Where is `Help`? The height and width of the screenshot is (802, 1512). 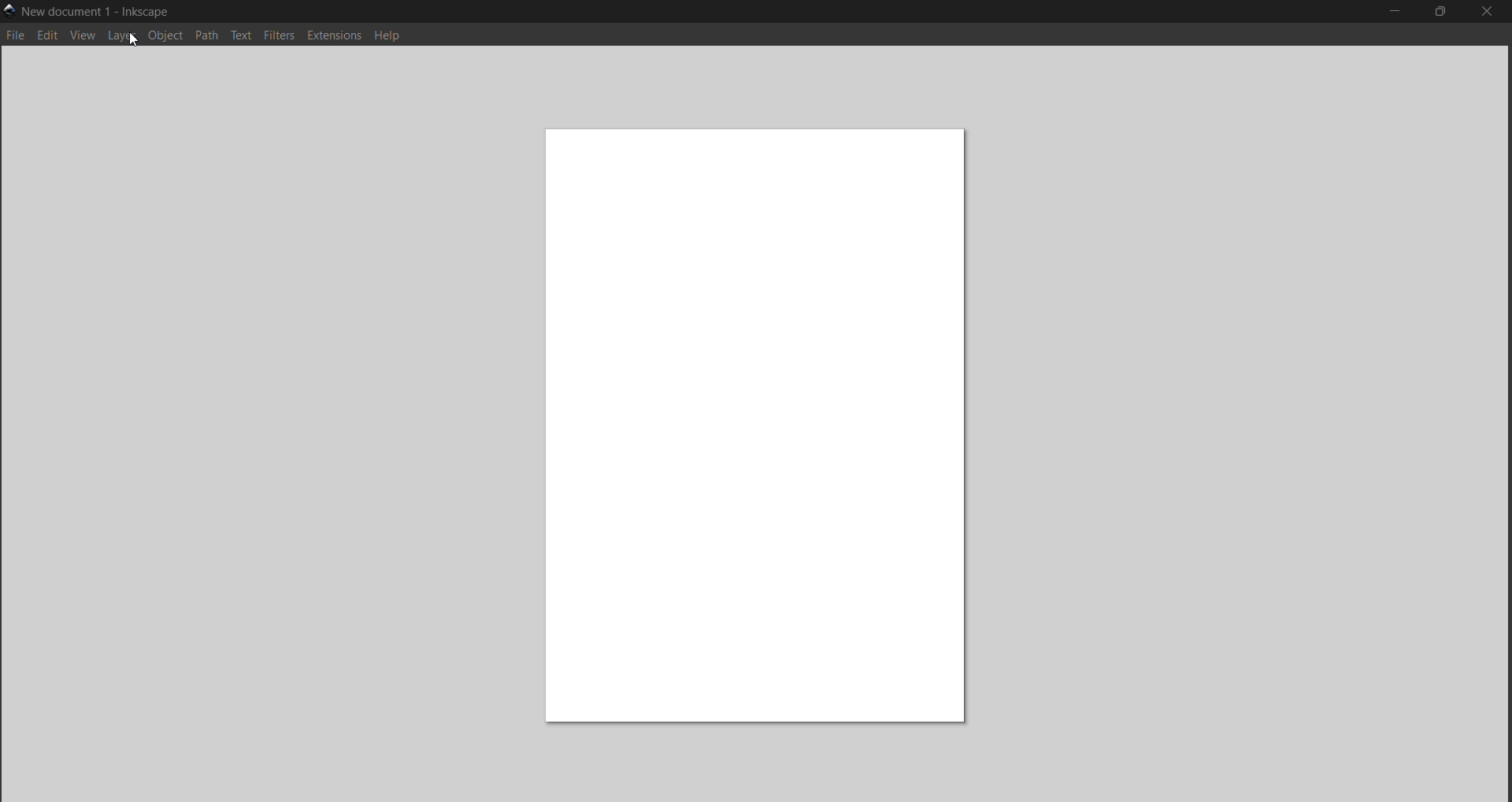 Help is located at coordinates (391, 38).